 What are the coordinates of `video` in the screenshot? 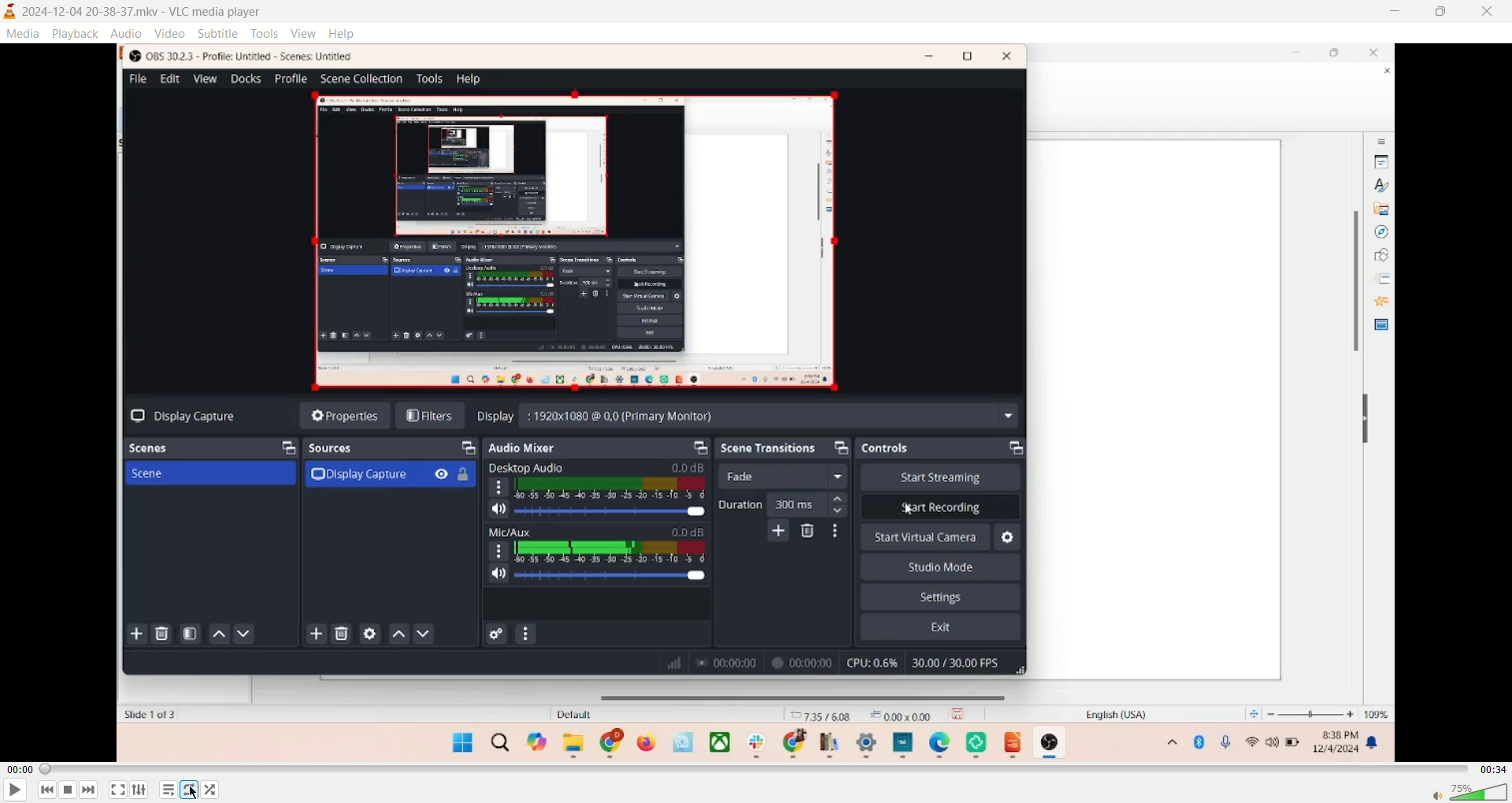 It's located at (169, 33).